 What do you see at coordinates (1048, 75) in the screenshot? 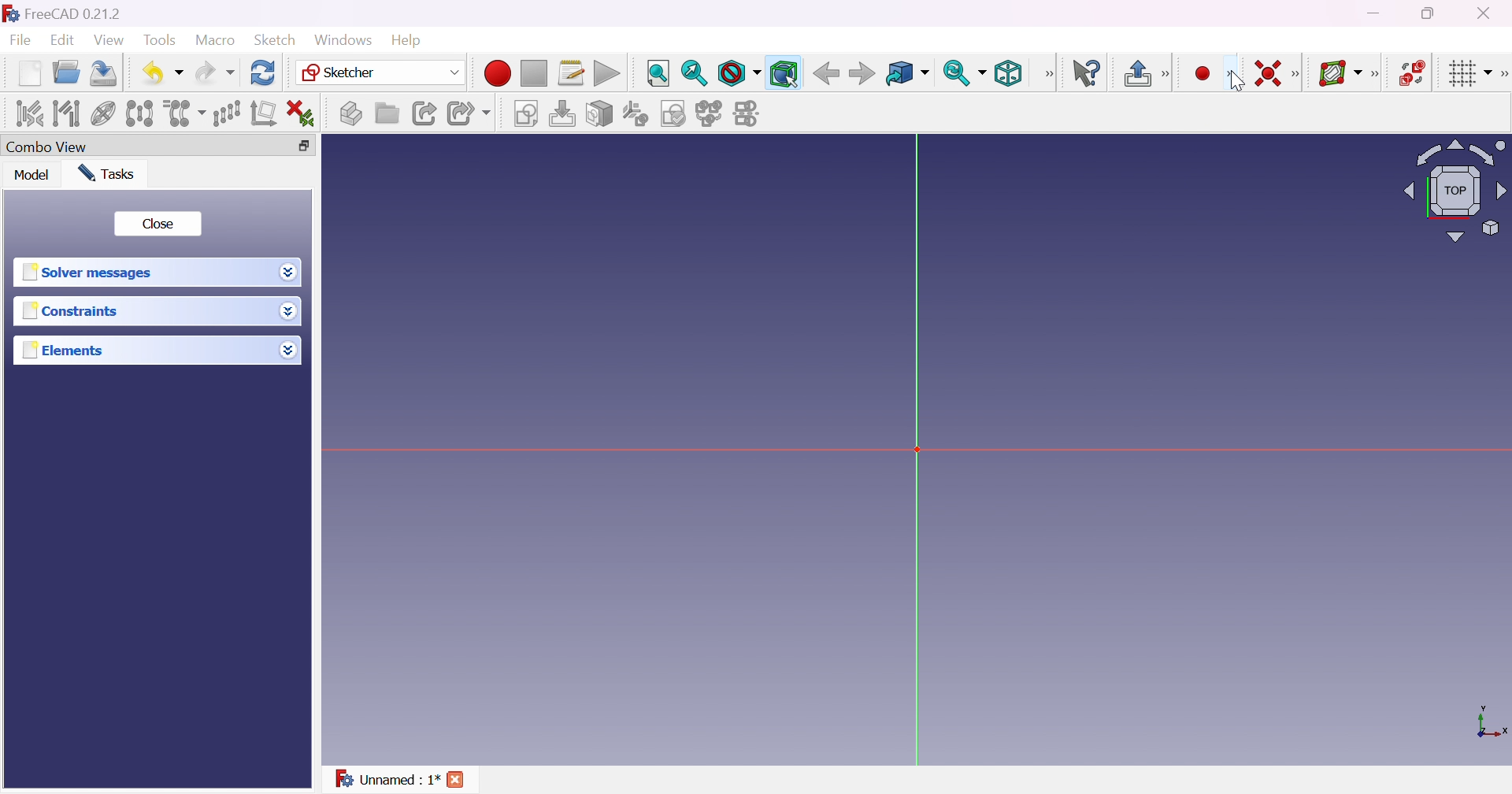
I see `View` at bounding box center [1048, 75].